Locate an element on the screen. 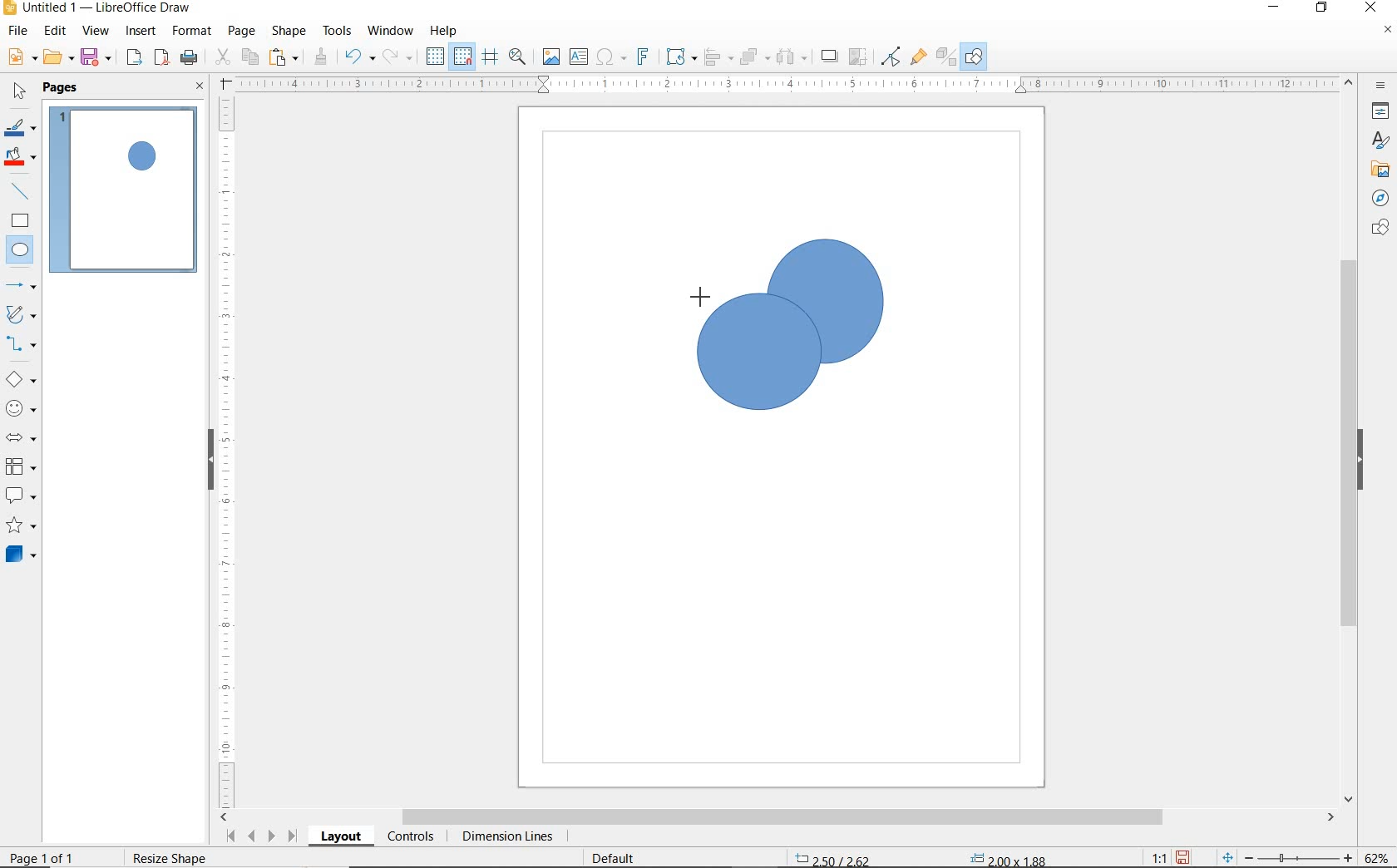  ARRANGE is located at coordinates (754, 57).